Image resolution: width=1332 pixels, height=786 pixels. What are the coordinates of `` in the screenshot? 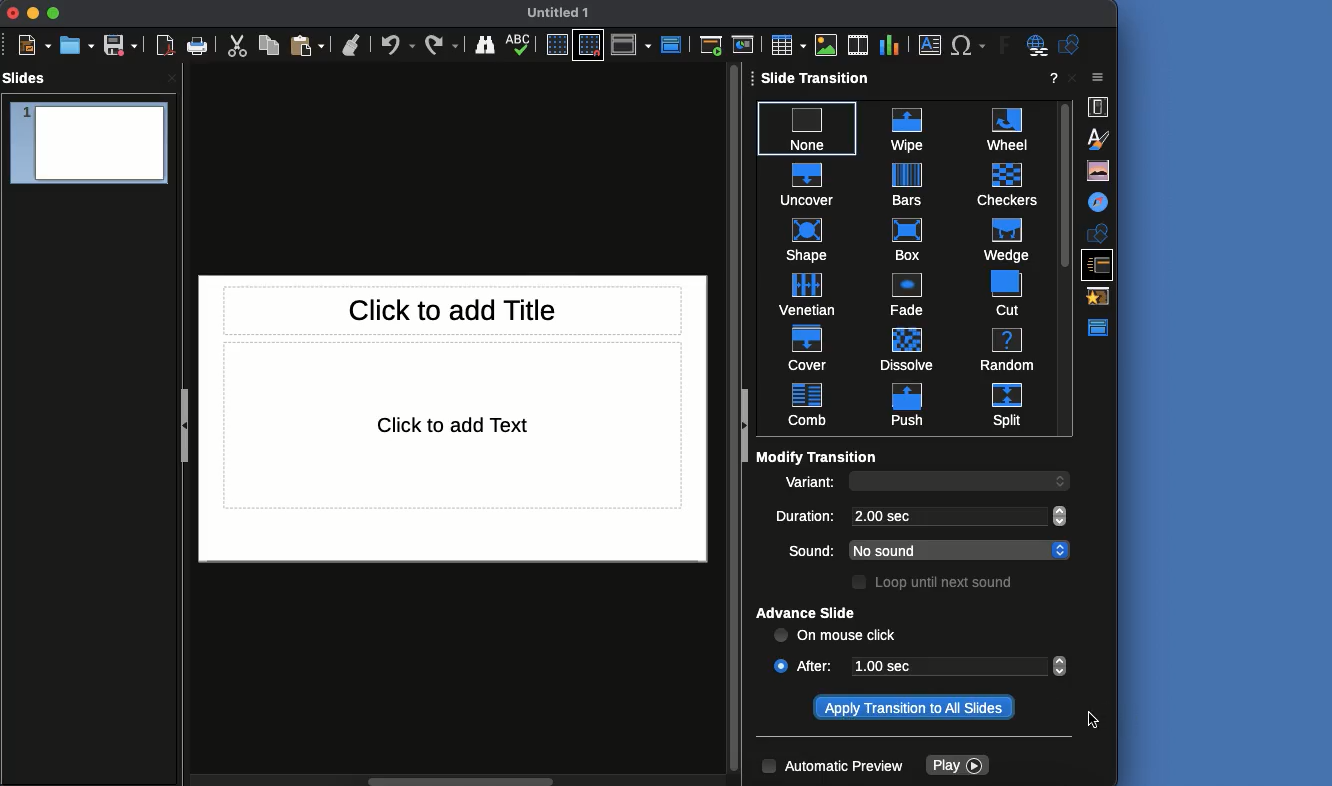 It's located at (559, 12).